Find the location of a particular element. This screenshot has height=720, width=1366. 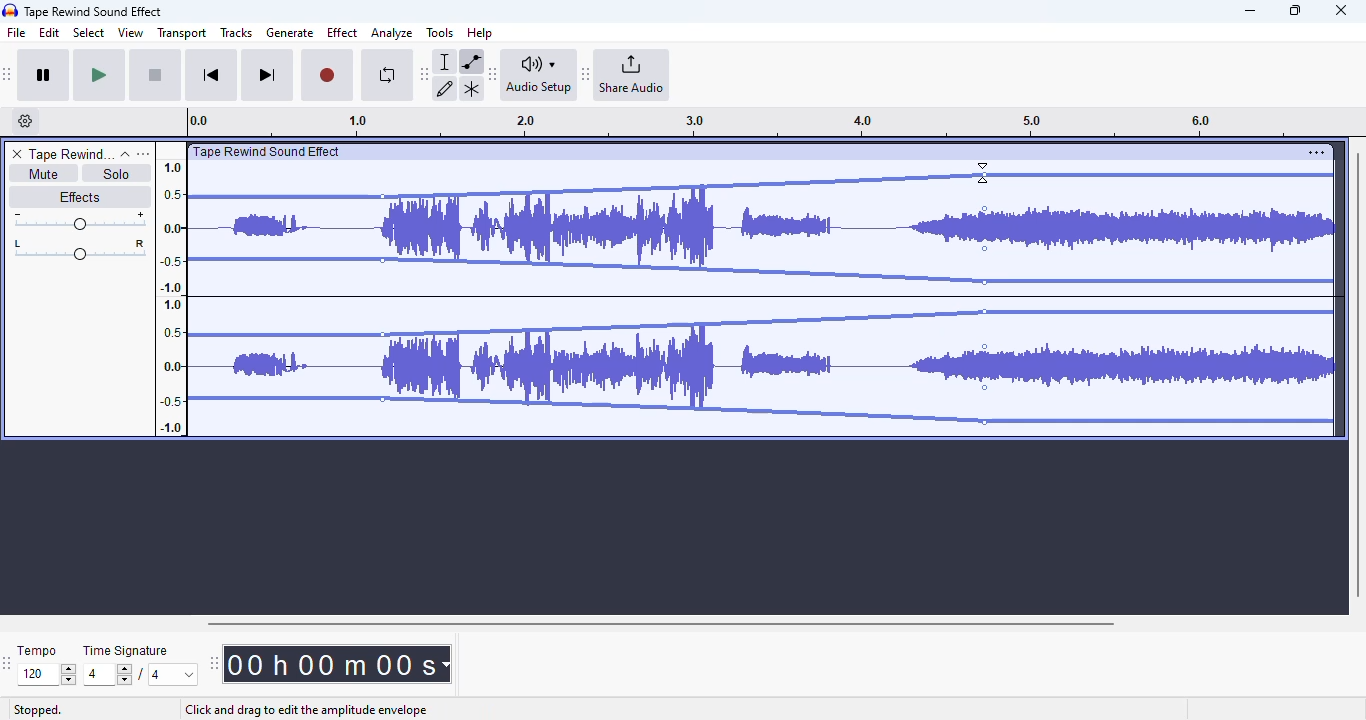

Pan left/right is located at coordinates (80, 250).